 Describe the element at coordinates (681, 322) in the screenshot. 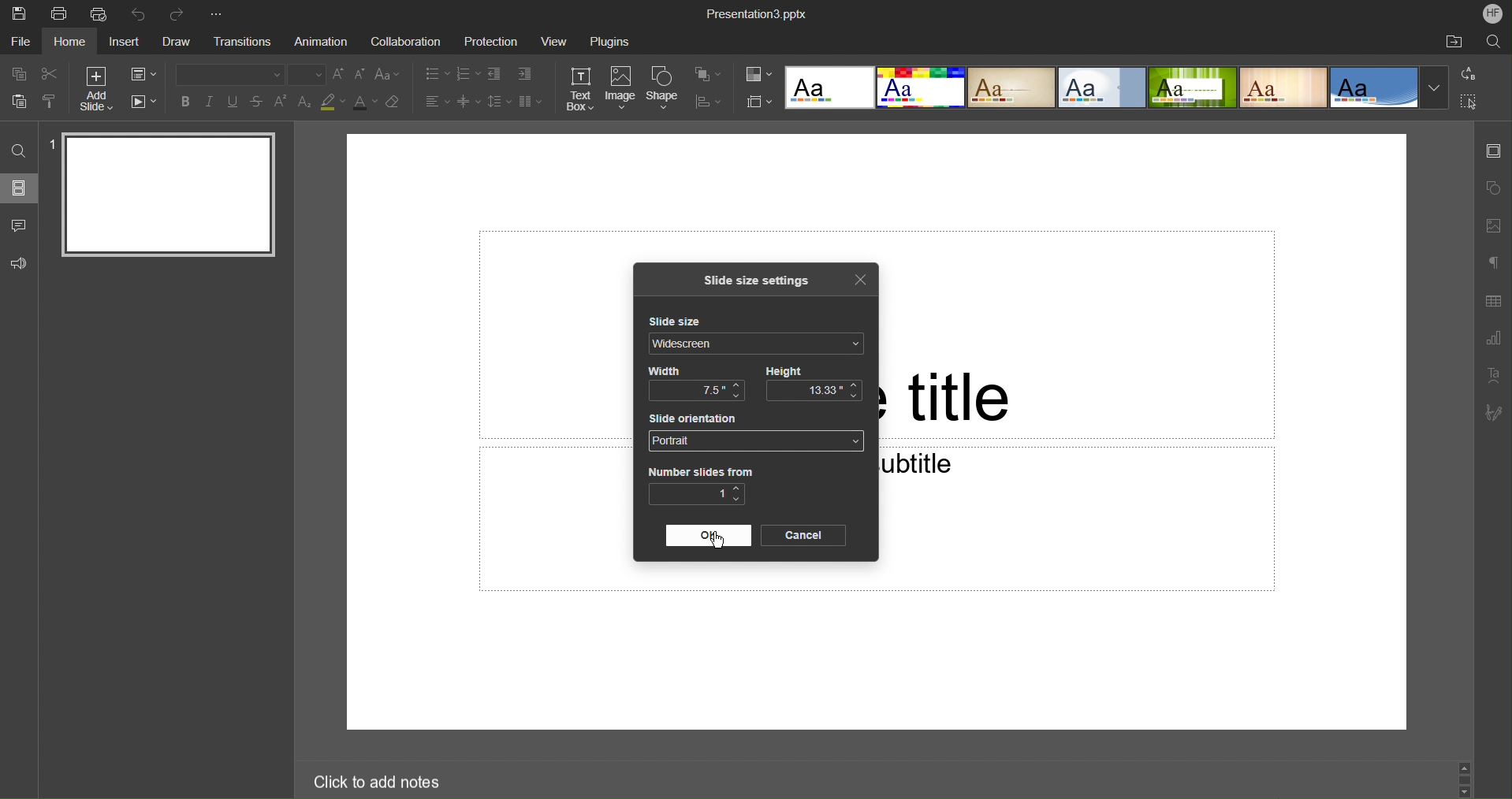

I see `Slide size` at that location.